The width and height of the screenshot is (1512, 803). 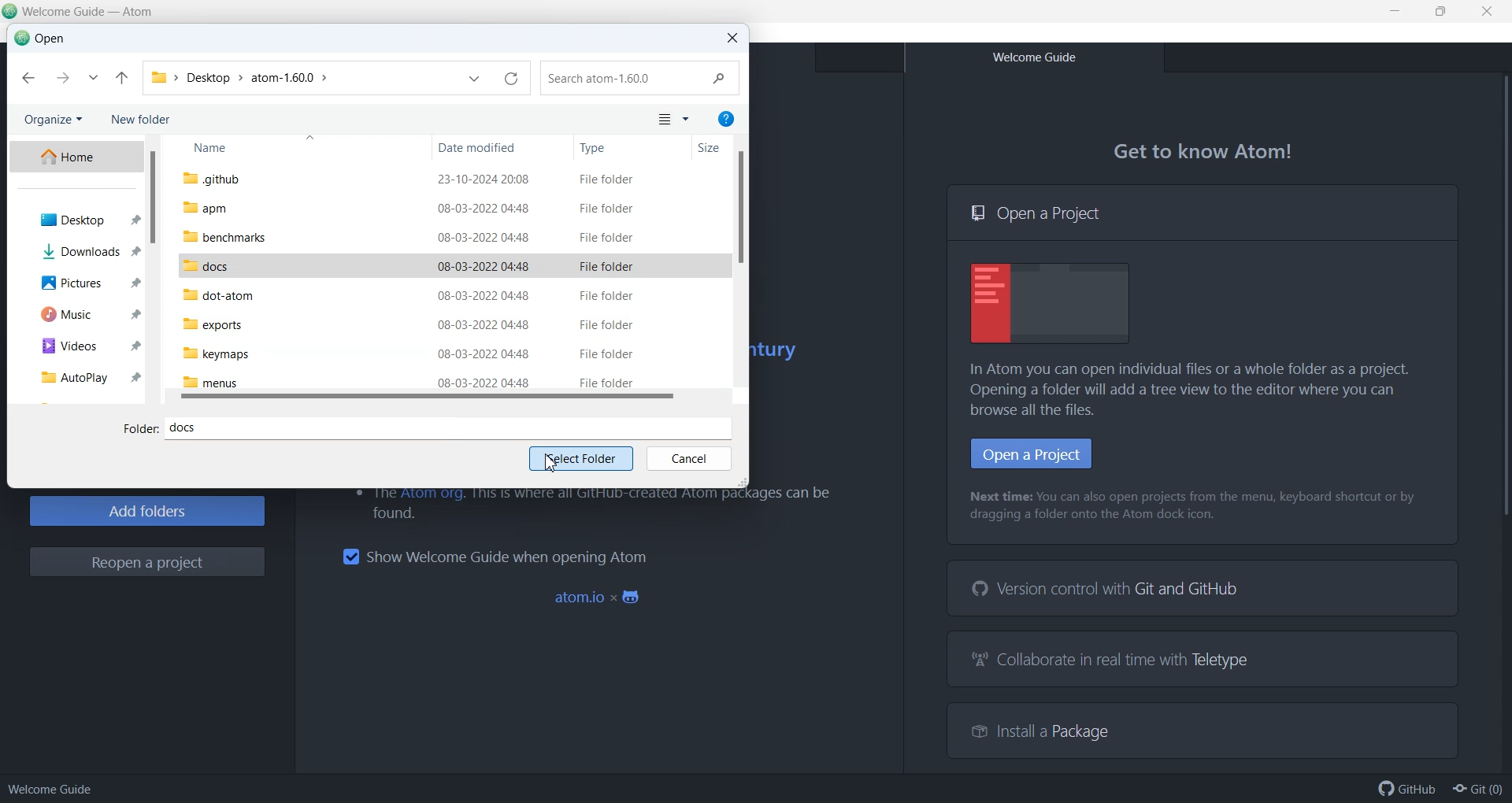 What do you see at coordinates (152, 269) in the screenshot?
I see `Vertical Scroll bar` at bounding box center [152, 269].